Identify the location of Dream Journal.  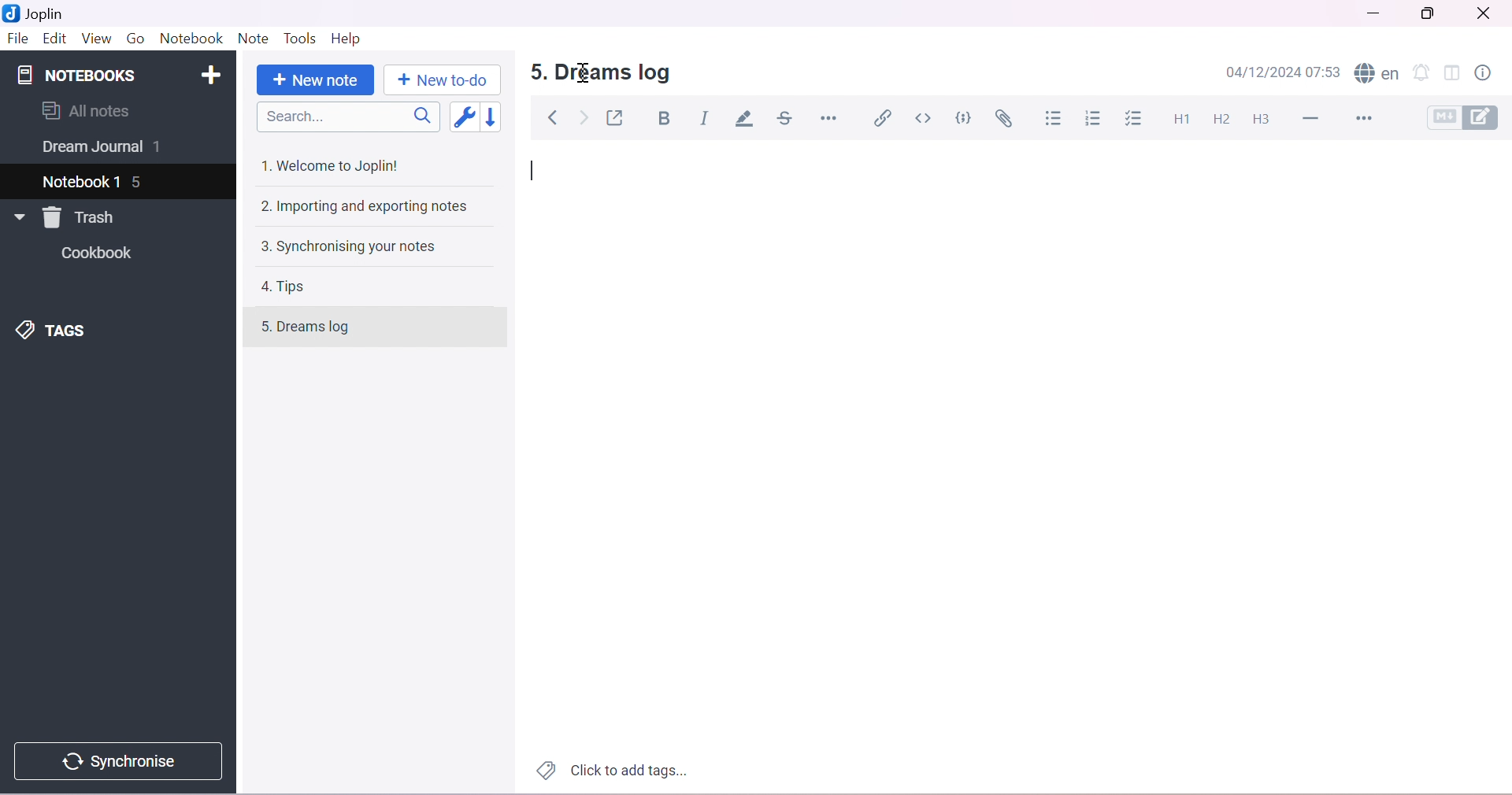
(91, 150).